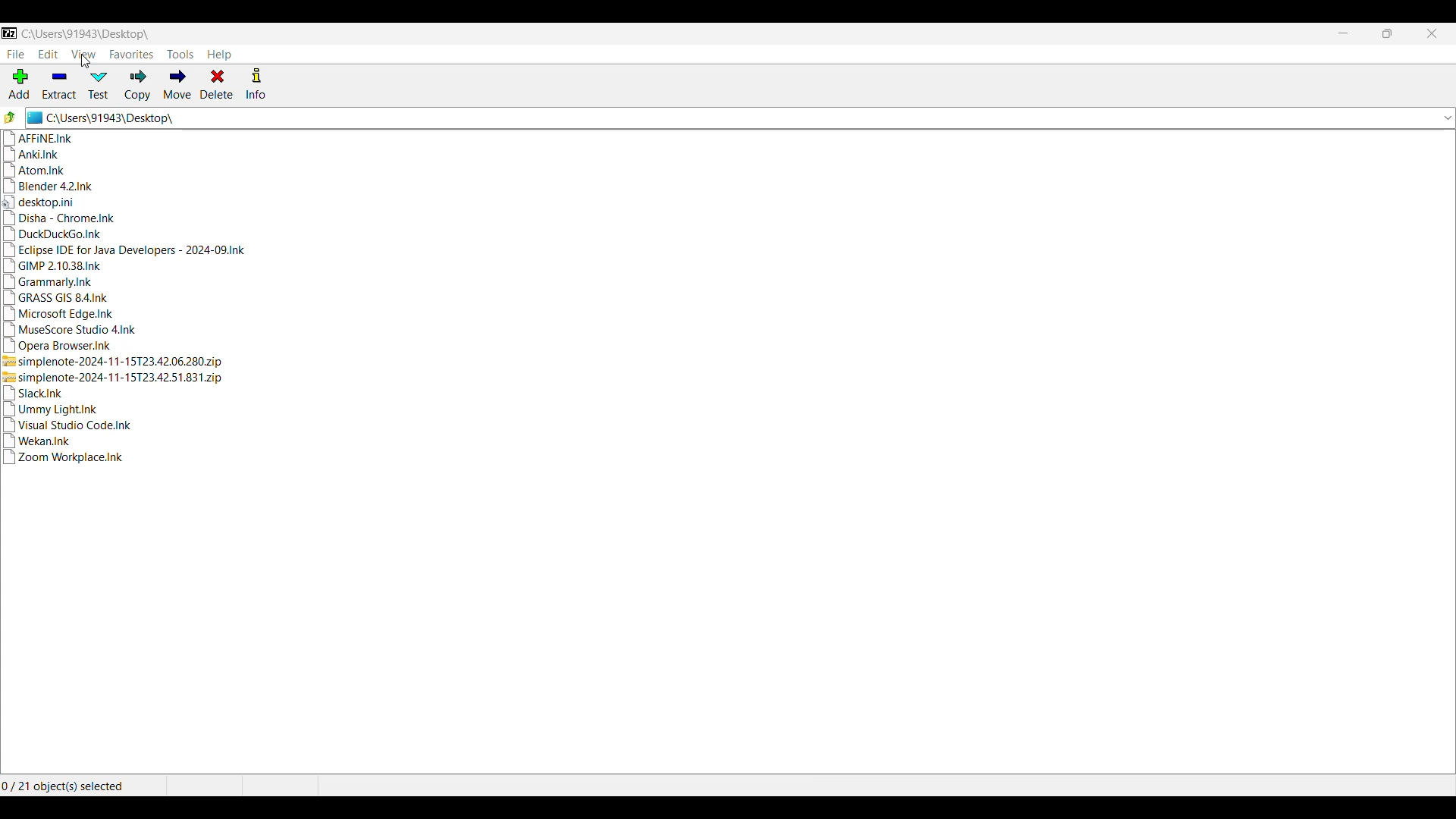  Describe the element at coordinates (729, 118) in the screenshot. I see `C:\Users\91943\Desktop\` at that location.